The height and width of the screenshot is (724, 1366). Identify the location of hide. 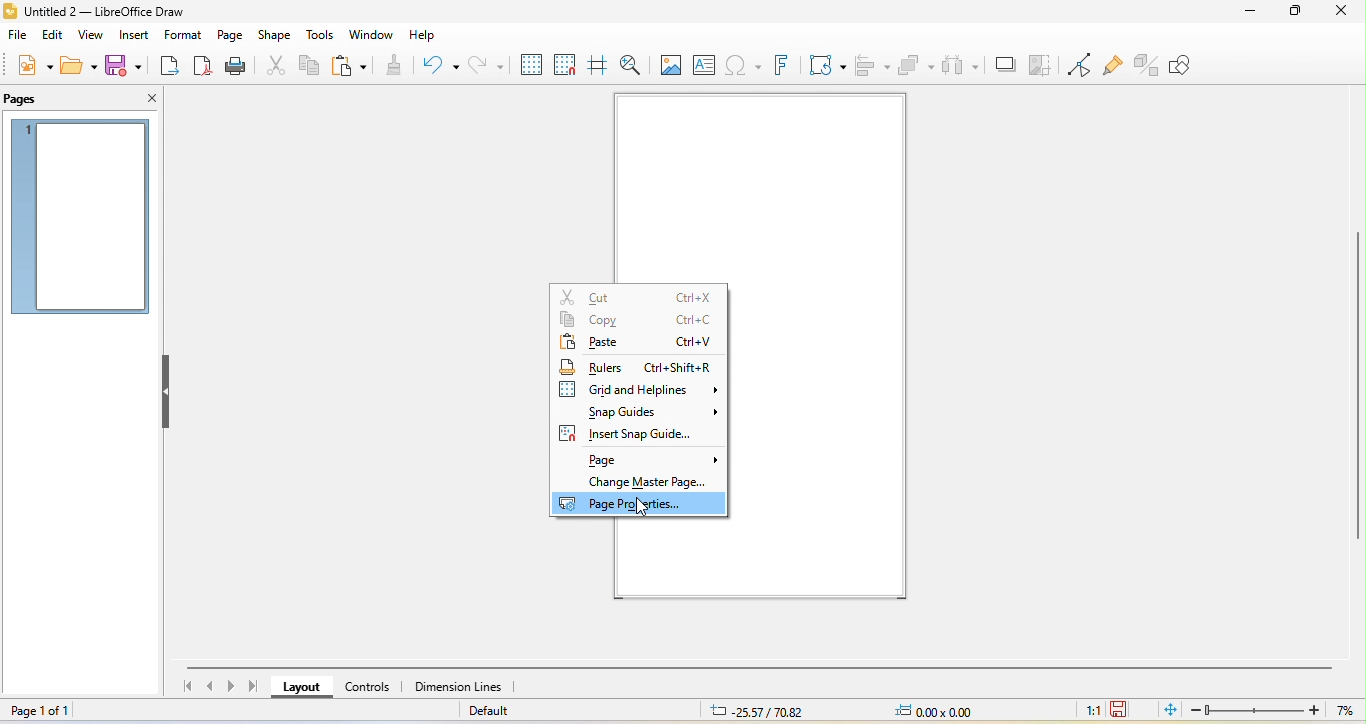
(167, 393).